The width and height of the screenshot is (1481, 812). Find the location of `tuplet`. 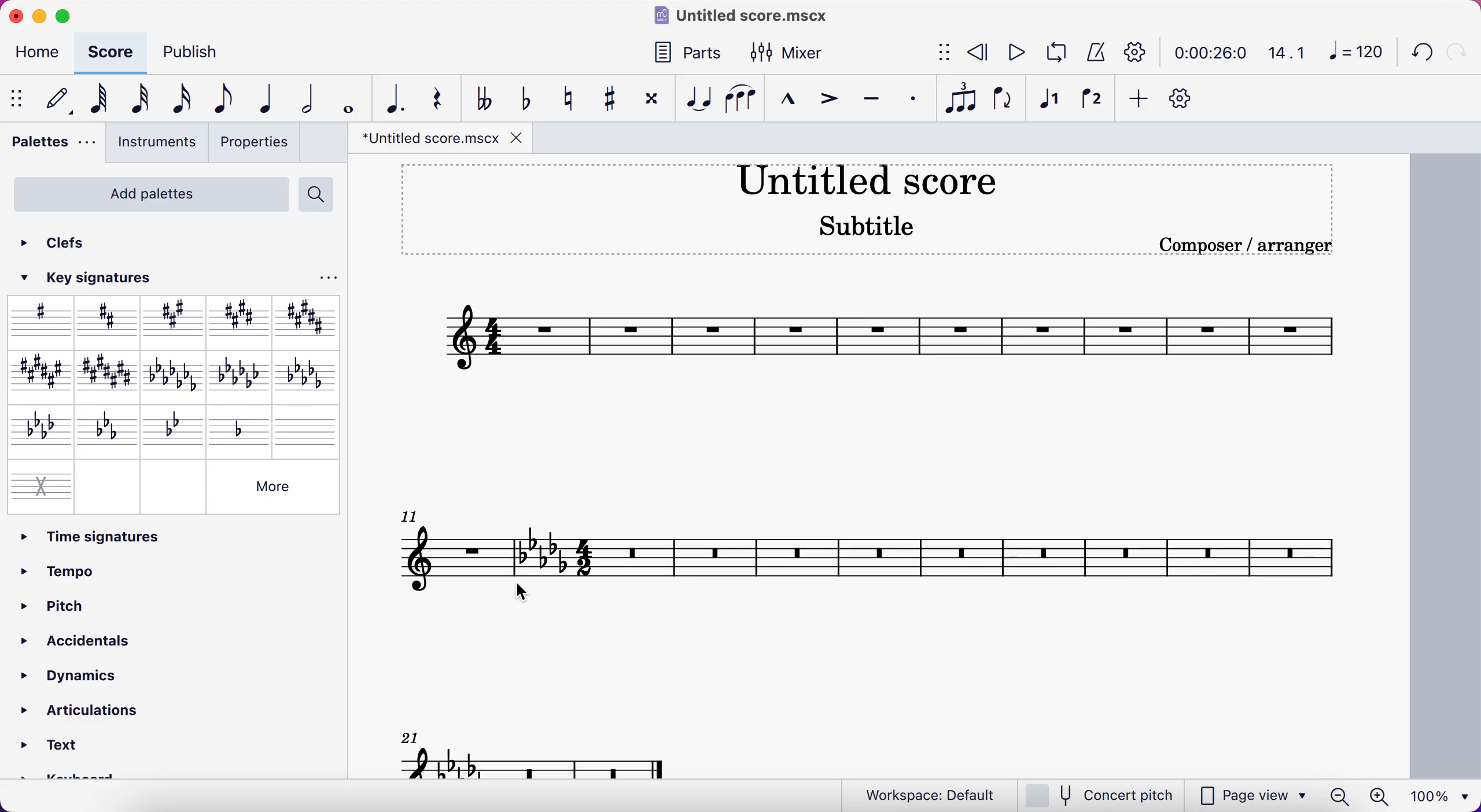

tuplet is located at coordinates (963, 98).